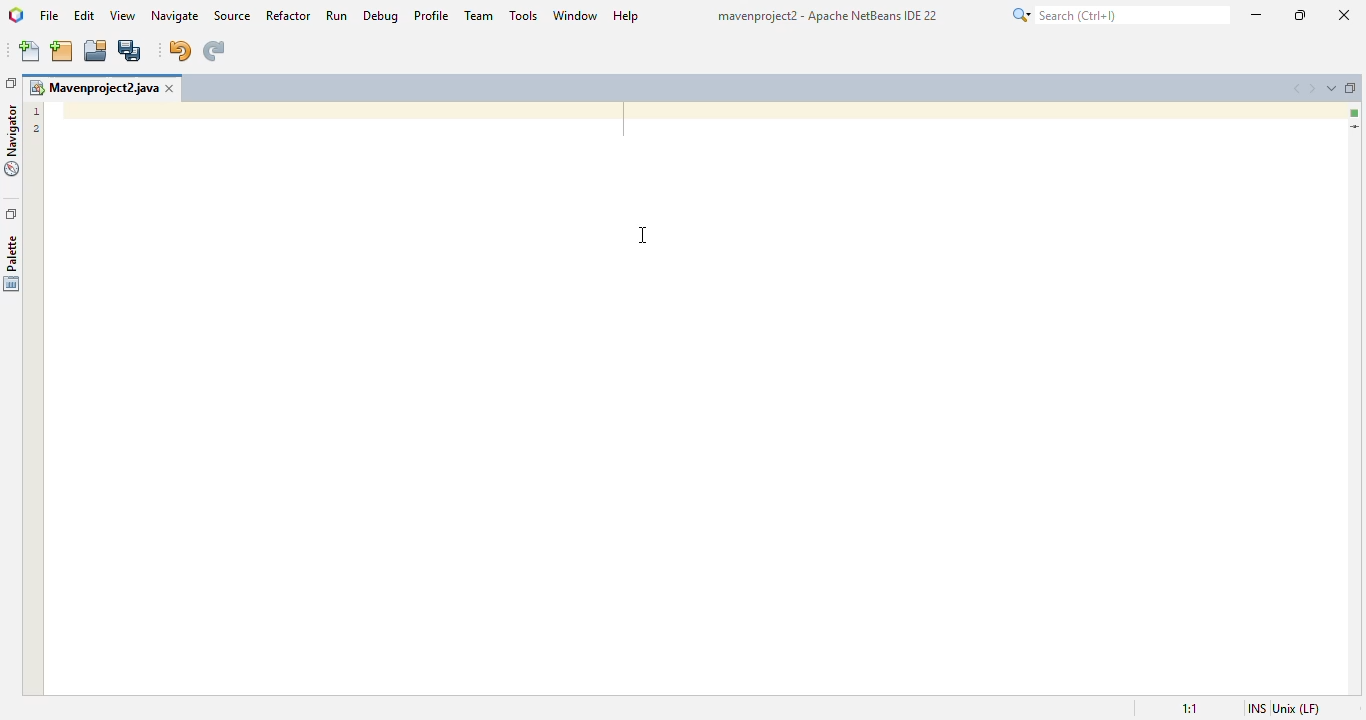 This screenshot has width=1366, height=720. Describe the element at coordinates (828, 15) in the screenshot. I see `title` at that location.